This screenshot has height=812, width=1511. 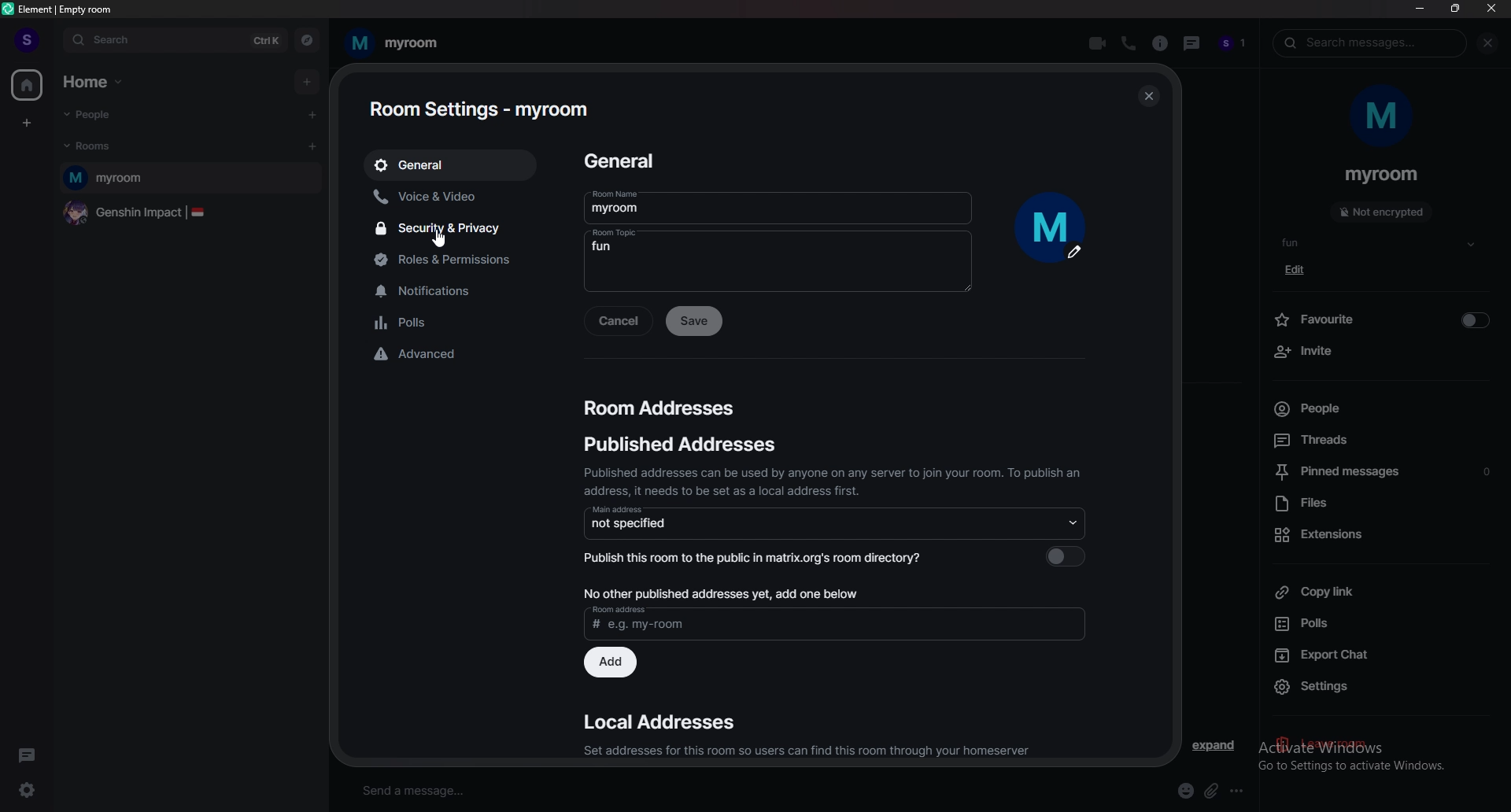 What do you see at coordinates (23, 35) in the screenshot?
I see `profile` at bounding box center [23, 35].